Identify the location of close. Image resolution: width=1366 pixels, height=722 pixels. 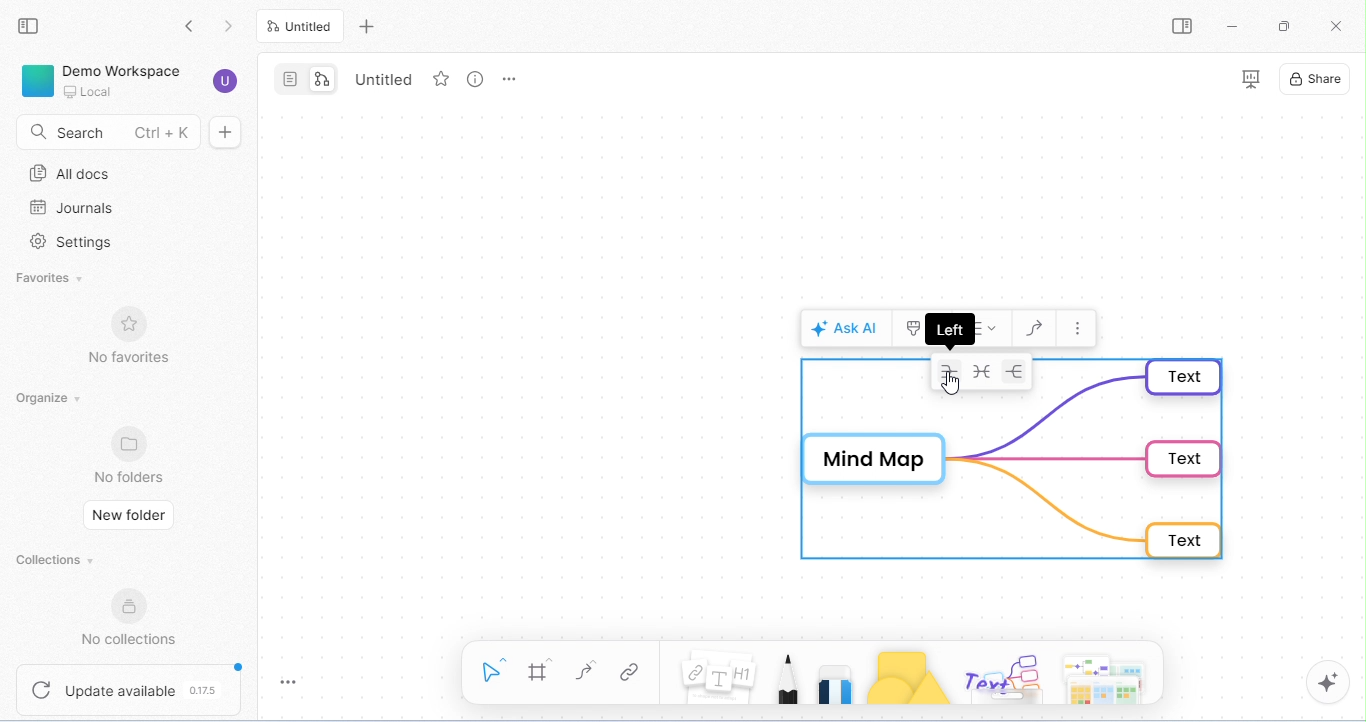
(1339, 28).